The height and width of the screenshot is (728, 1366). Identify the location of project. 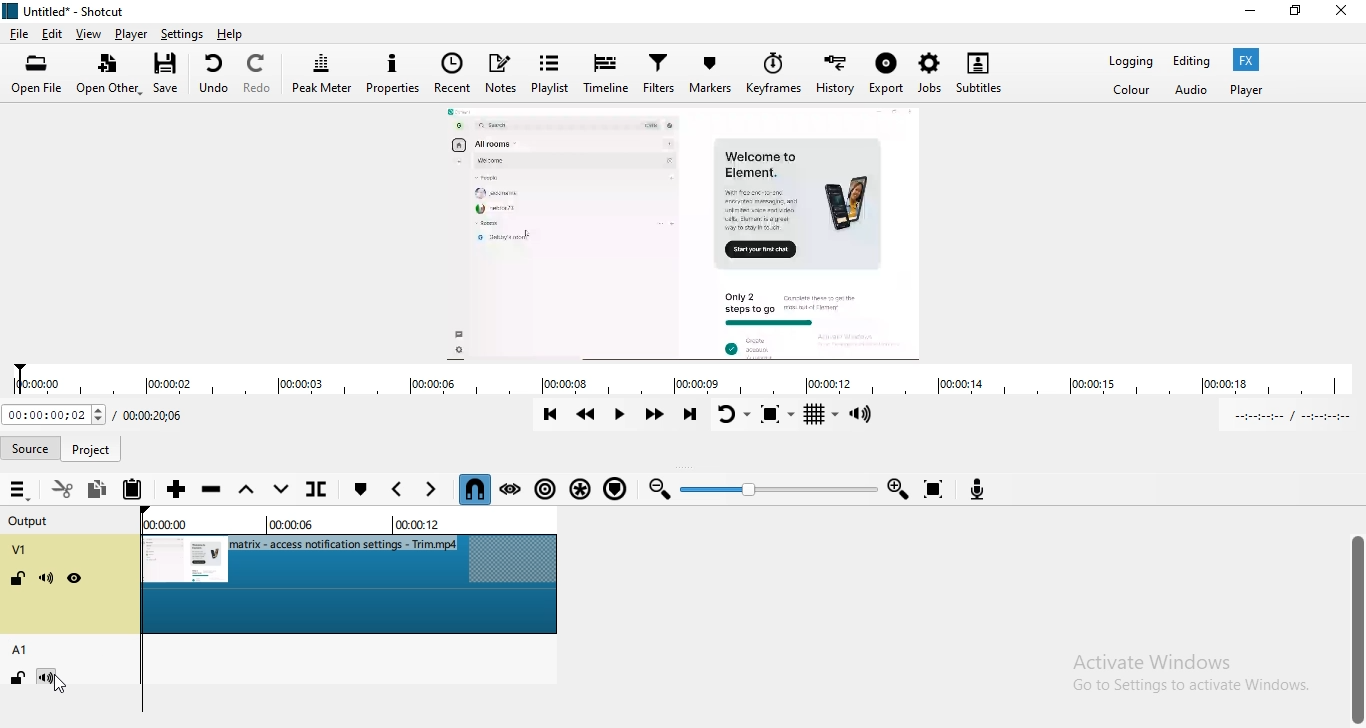
(91, 447).